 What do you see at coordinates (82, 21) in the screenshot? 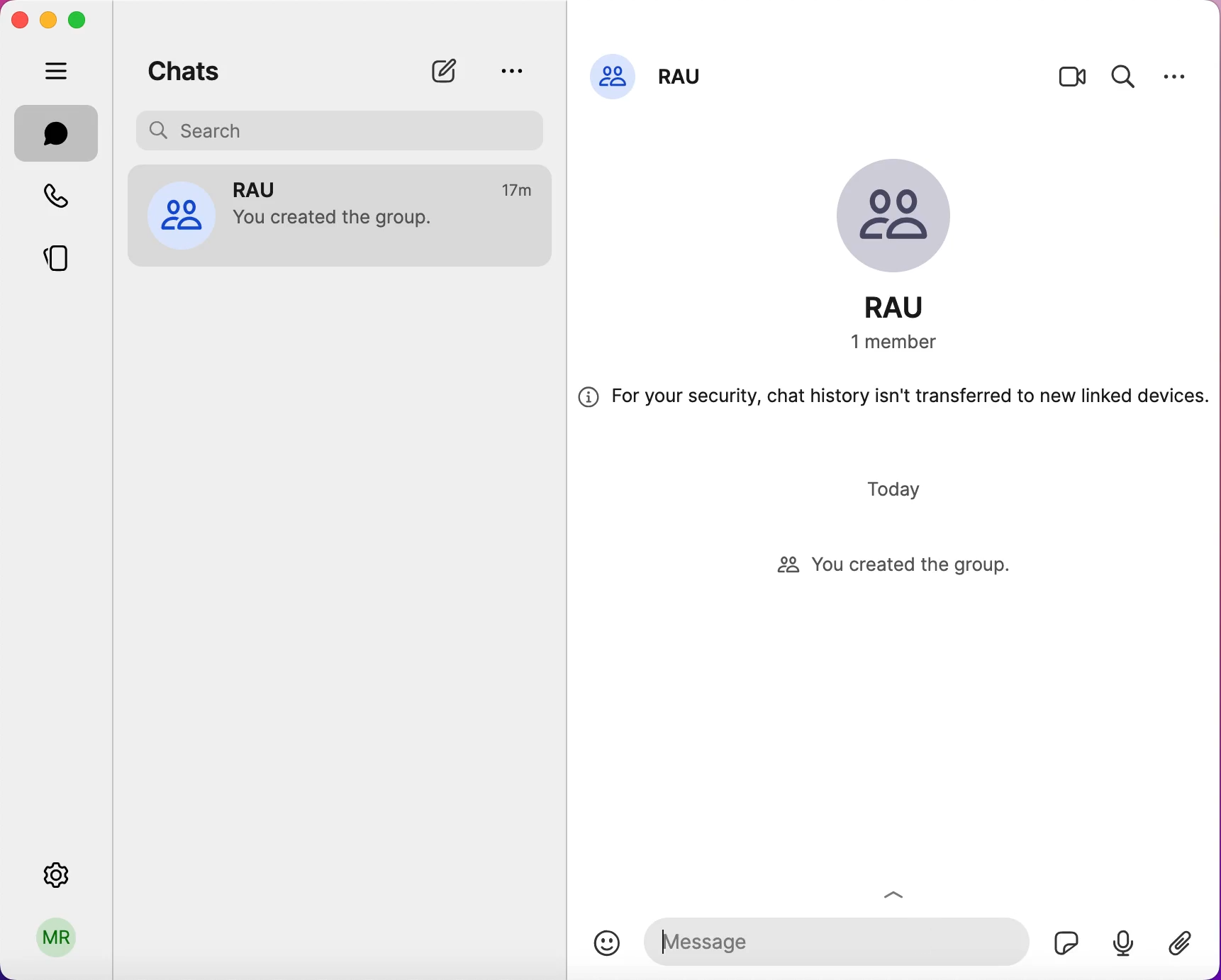
I see `maximize` at bounding box center [82, 21].